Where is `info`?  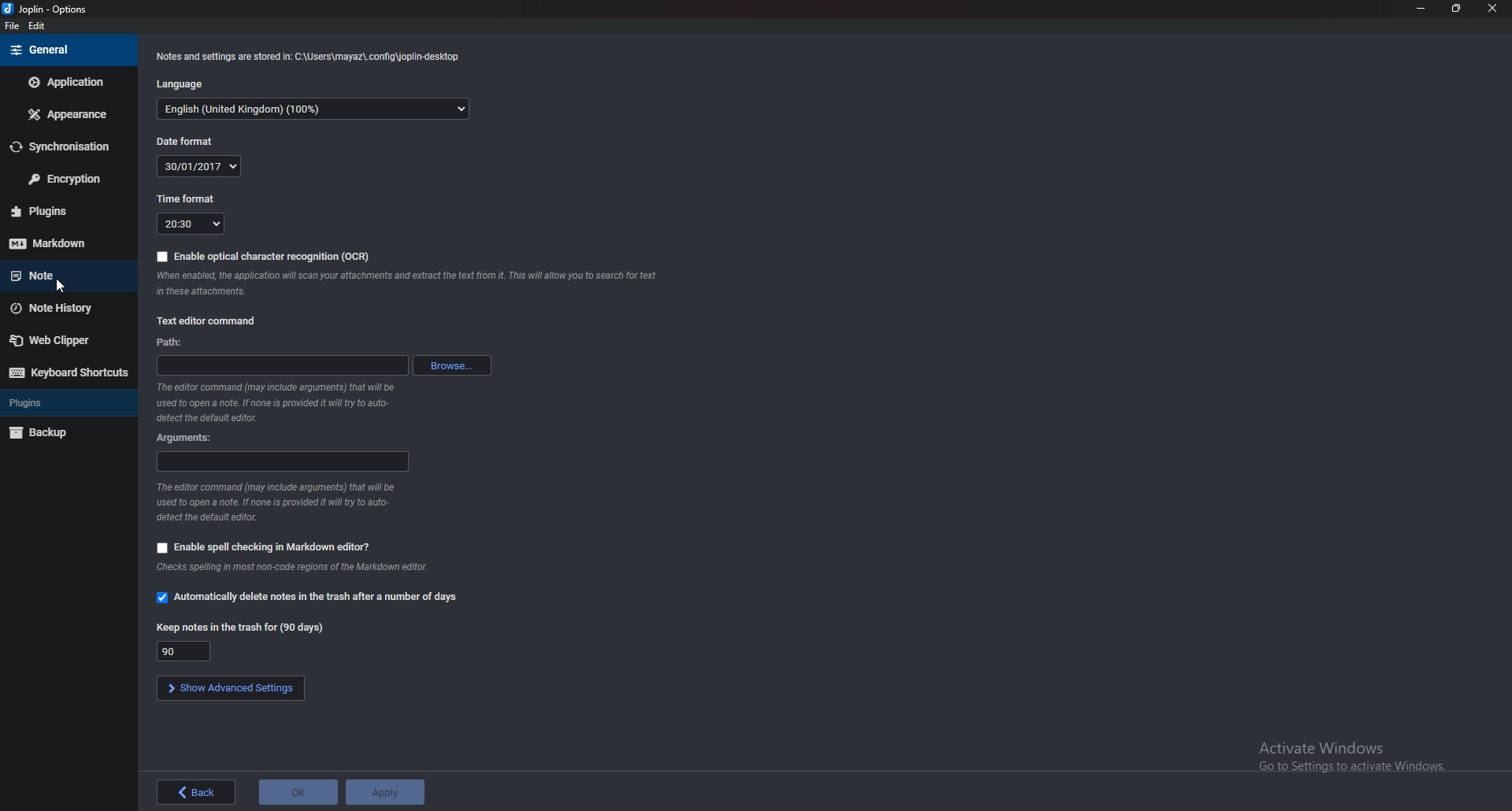
info is located at coordinates (409, 283).